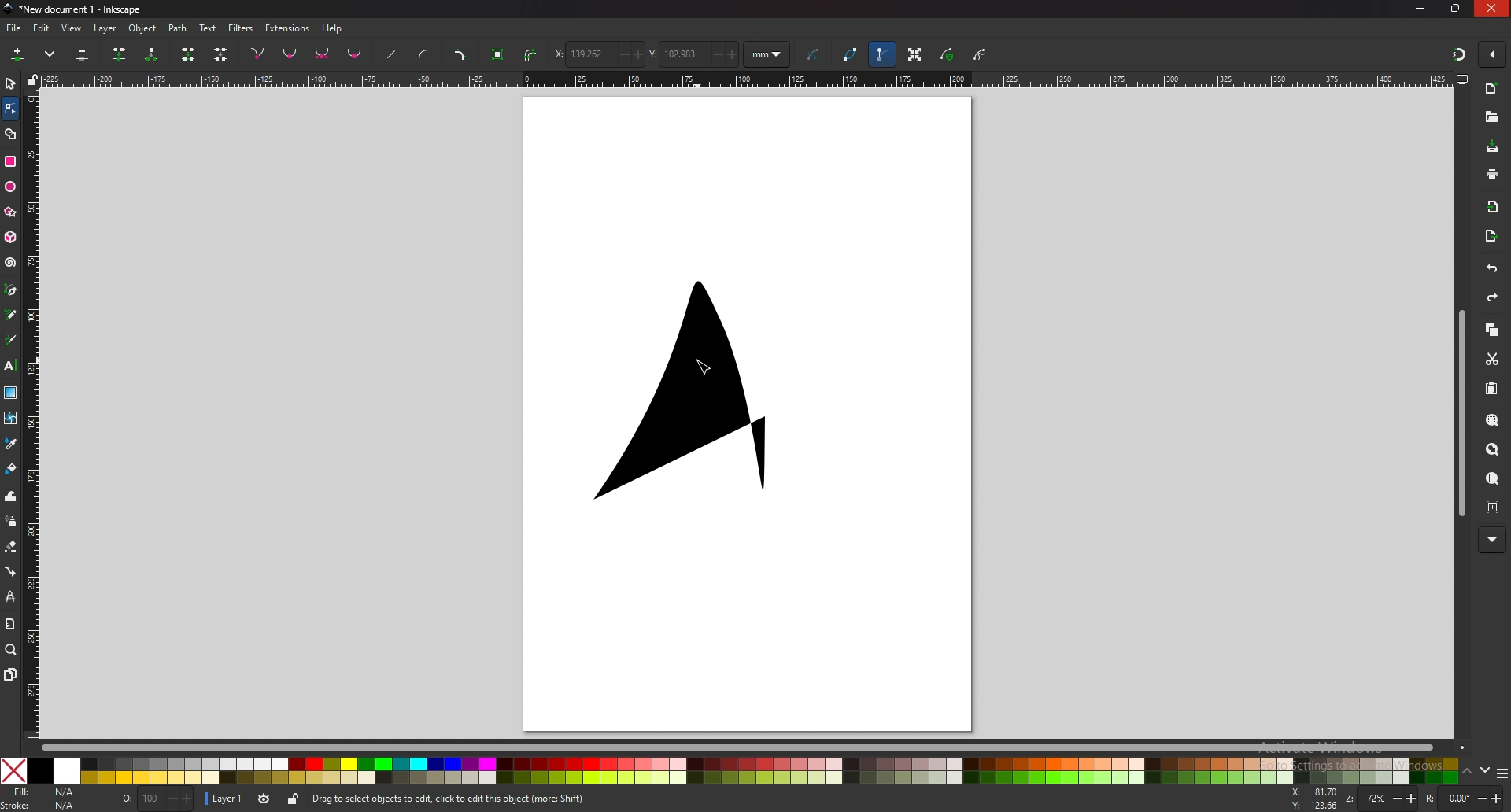 The image size is (1511, 812). I want to click on delete segment between two non endpoint nodes, so click(220, 54).